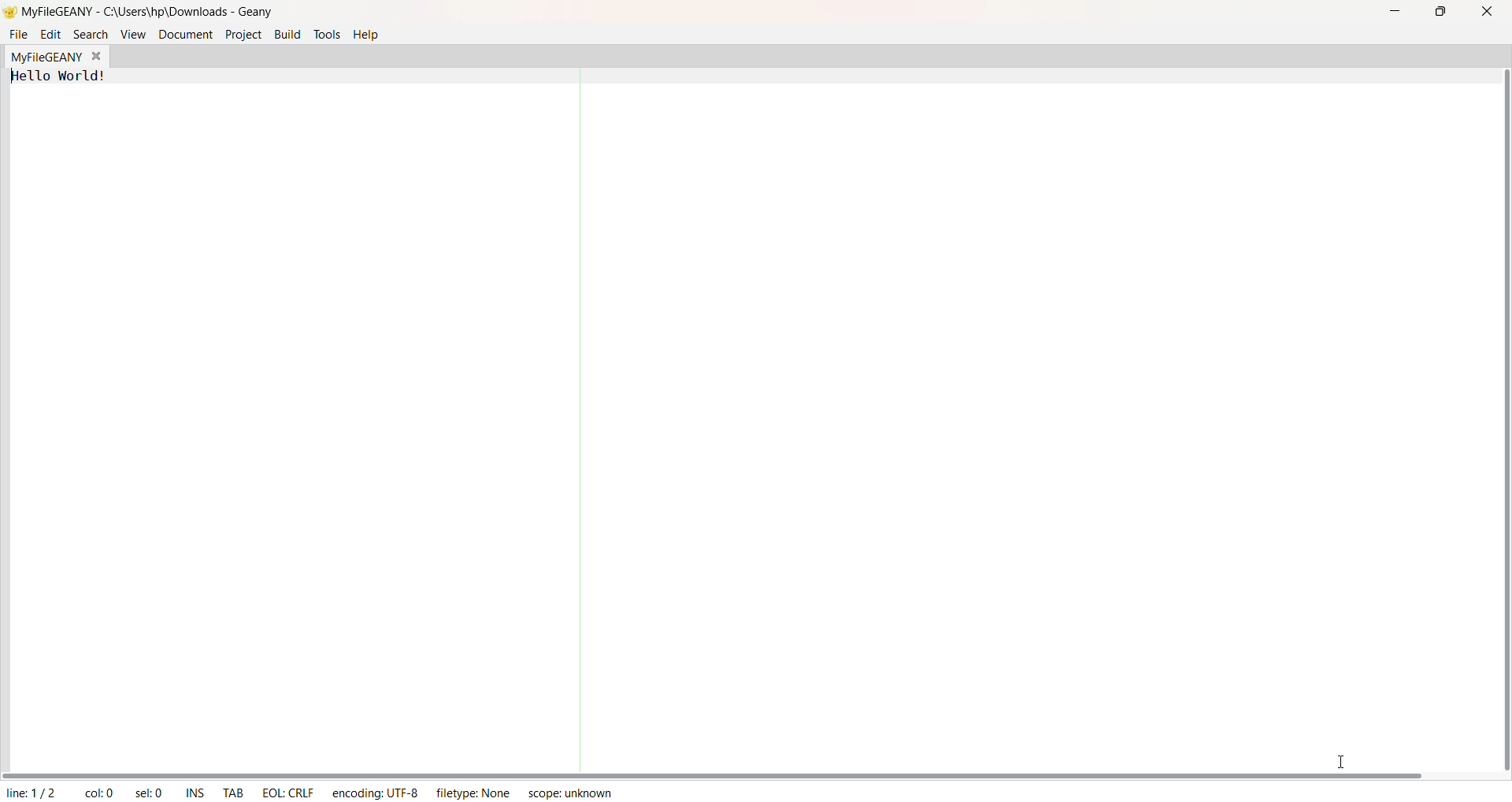 The image size is (1512, 802). I want to click on Project, so click(243, 35).